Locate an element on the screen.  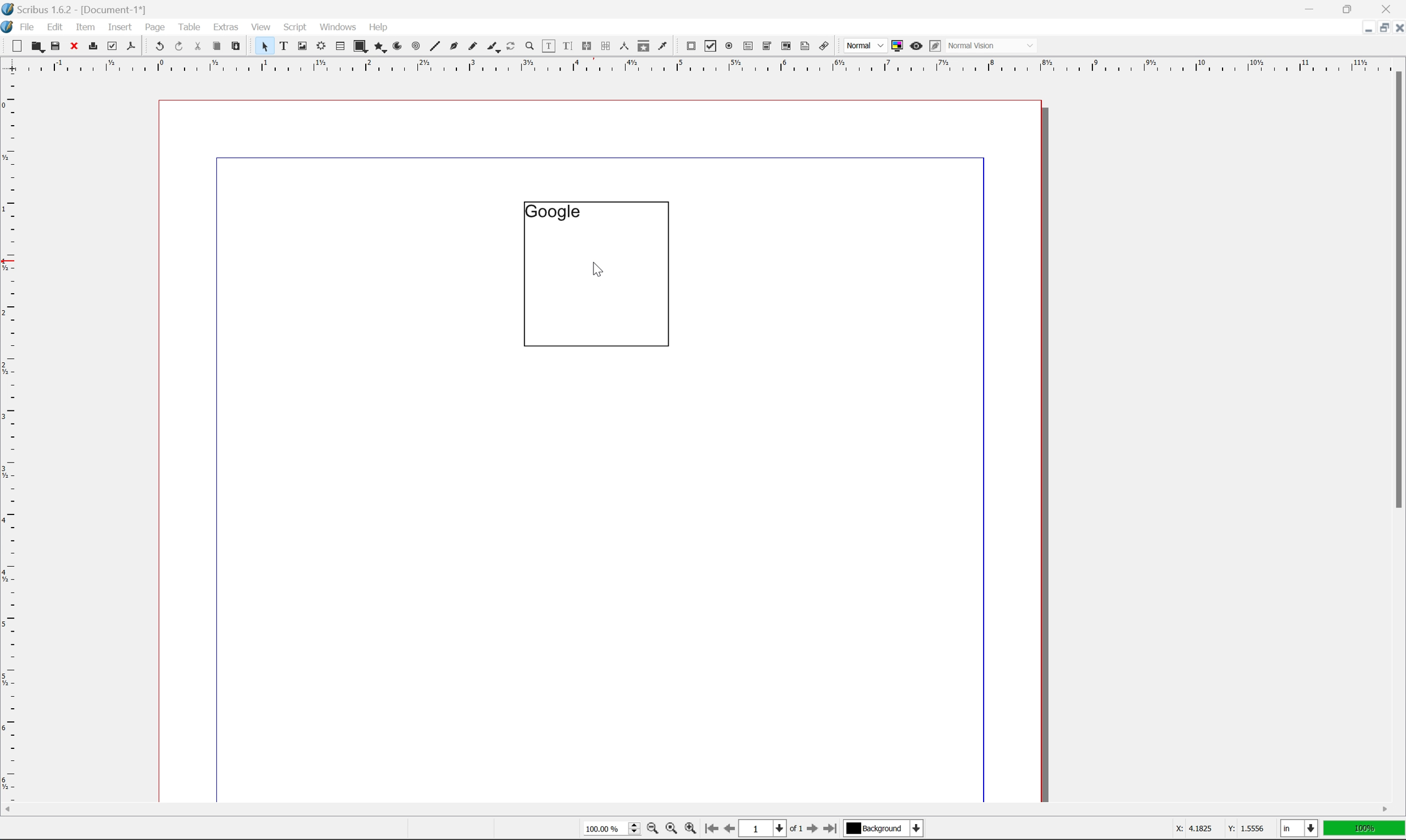
minimize is located at coordinates (1361, 27).